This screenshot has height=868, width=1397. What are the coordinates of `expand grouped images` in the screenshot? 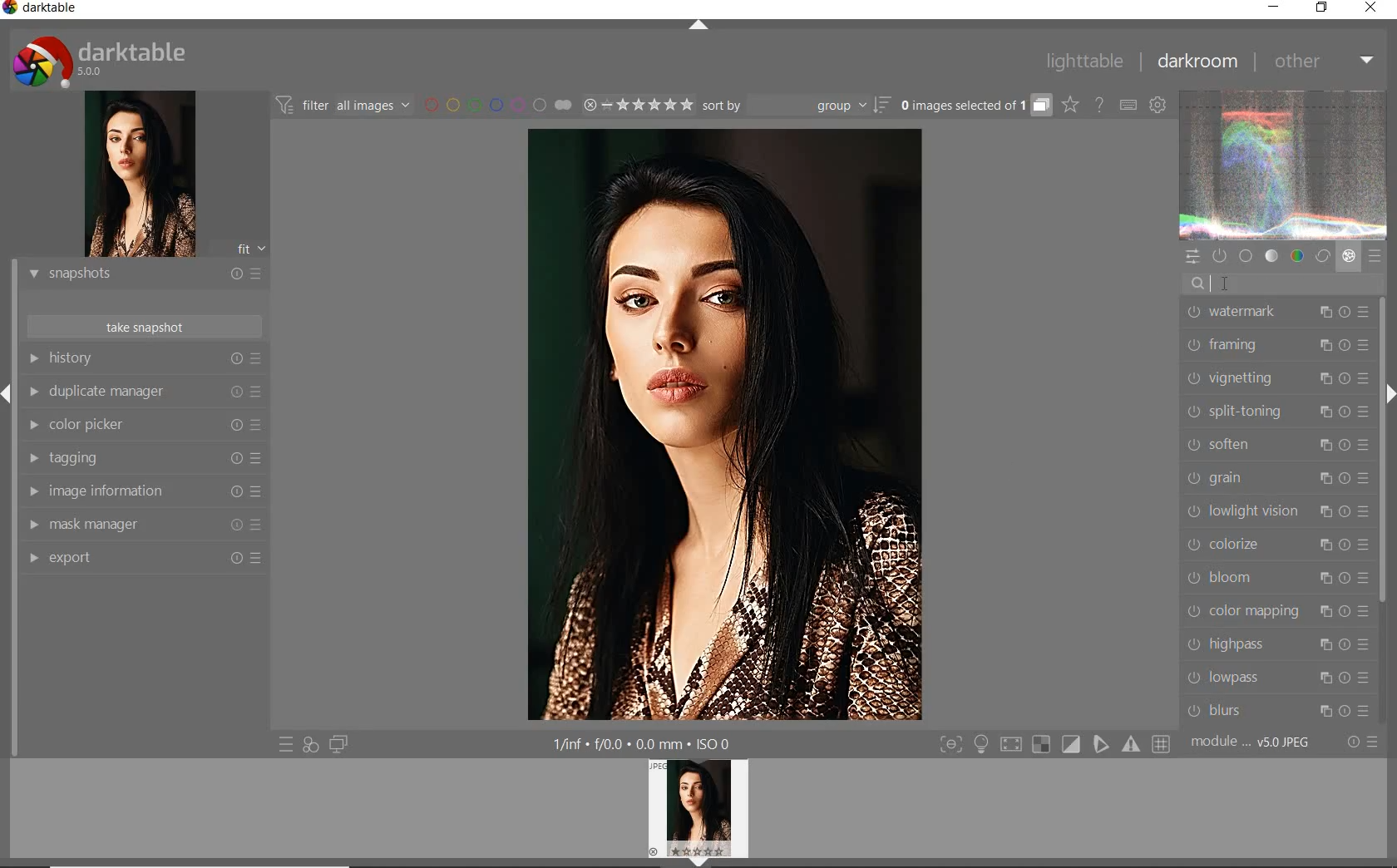 It's located at (975, 106).